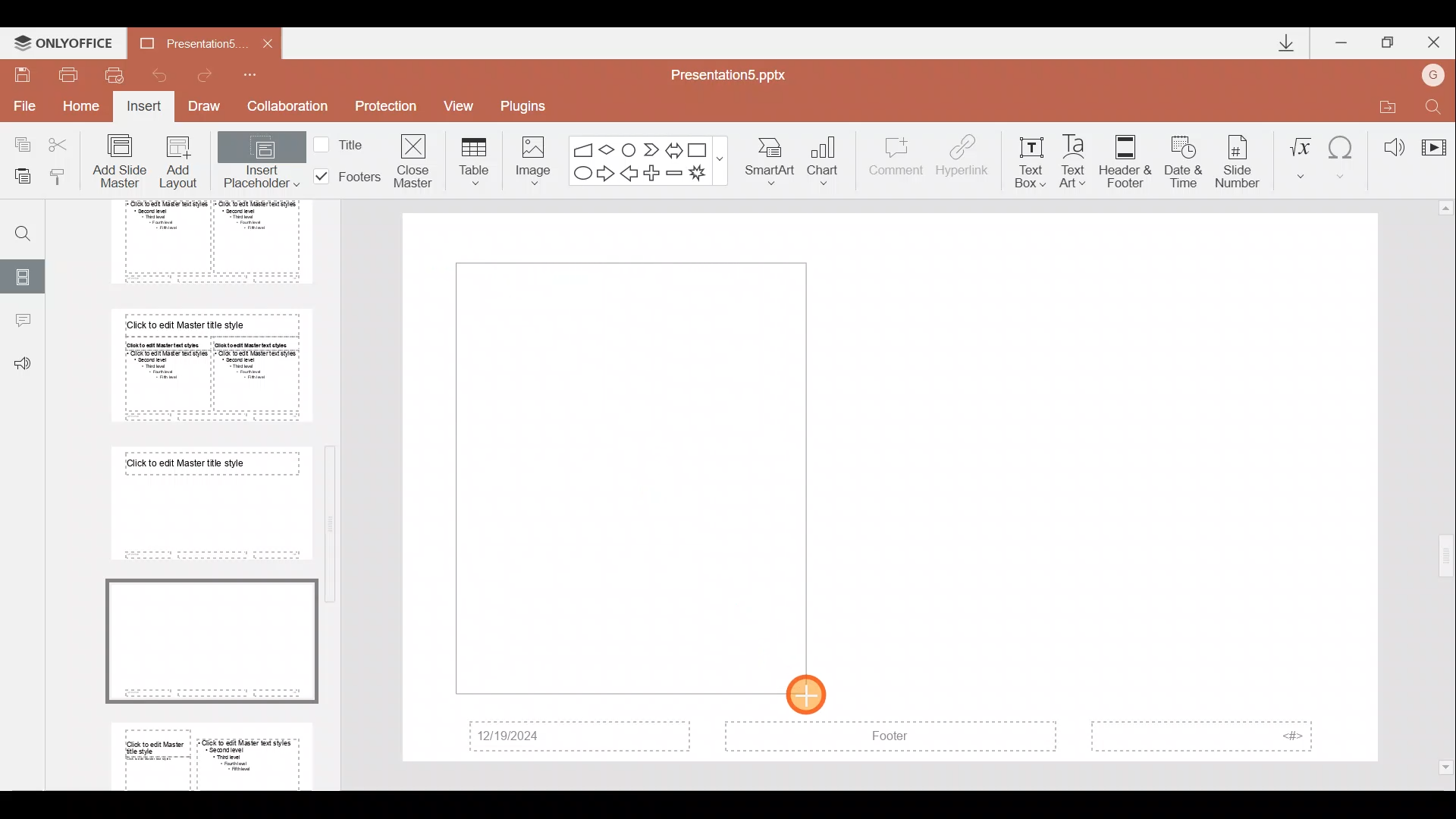 Image resolution: width=1456 pixels, height=819 pixels. Describe the element at coordinates (24, 275) in the screenshot. I see `Slides` at that location.